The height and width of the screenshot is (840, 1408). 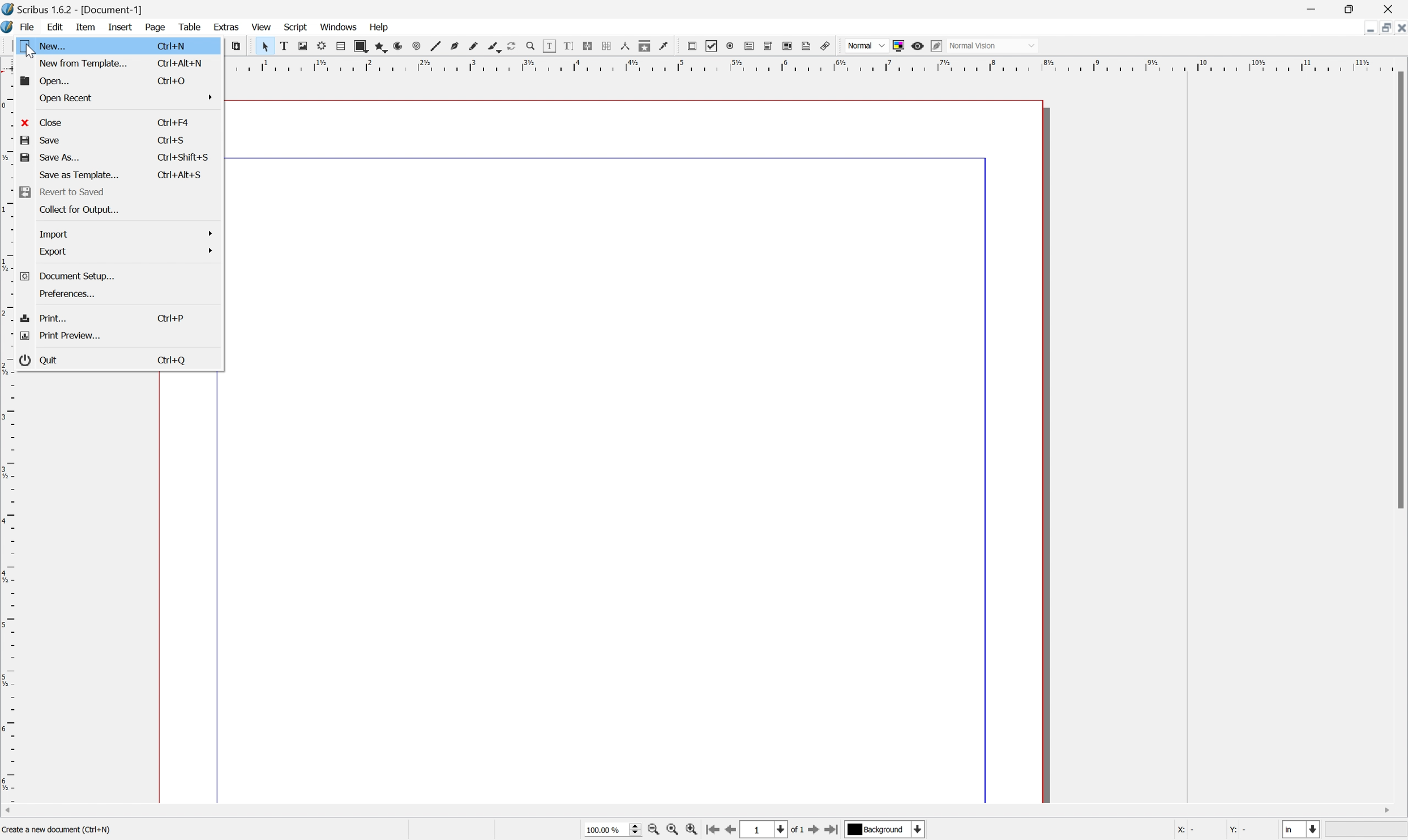 What do you see at coordinates (76, 9) in the screenshot?
I see `Scribus 1.6.2 - [Document-1]` at bounding box center [76, 9].